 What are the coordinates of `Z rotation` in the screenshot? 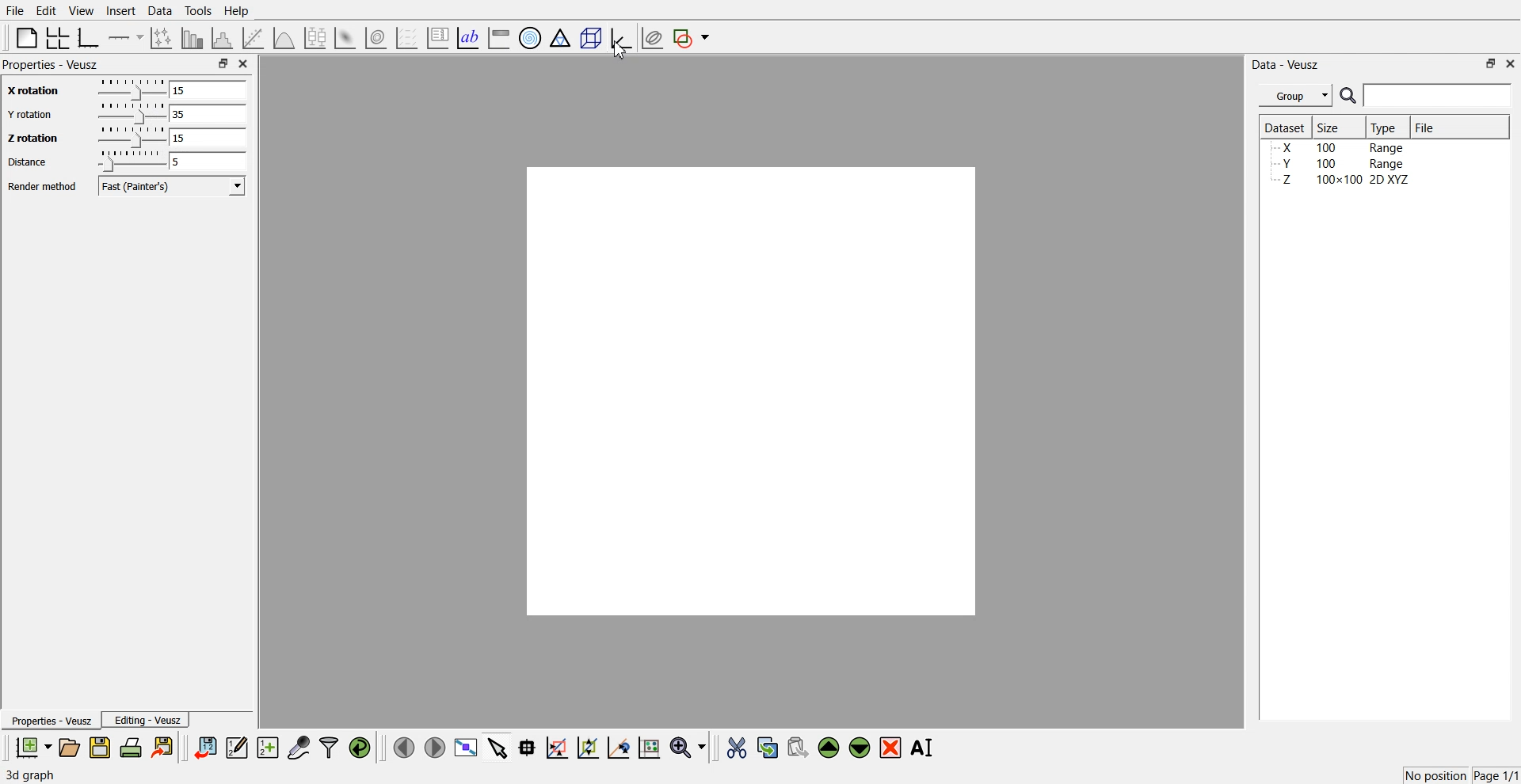 It's located at (30, 138).